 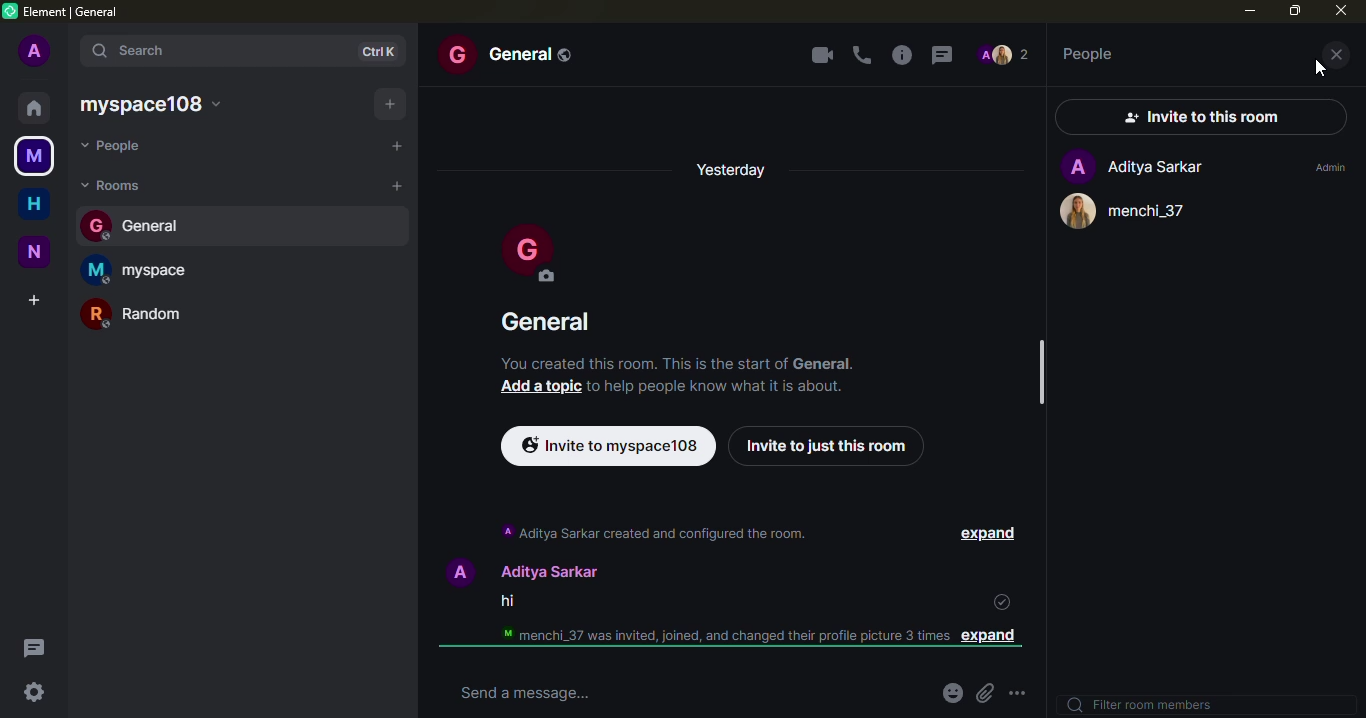 I want to click on myspace, so click(x=34, y=154).